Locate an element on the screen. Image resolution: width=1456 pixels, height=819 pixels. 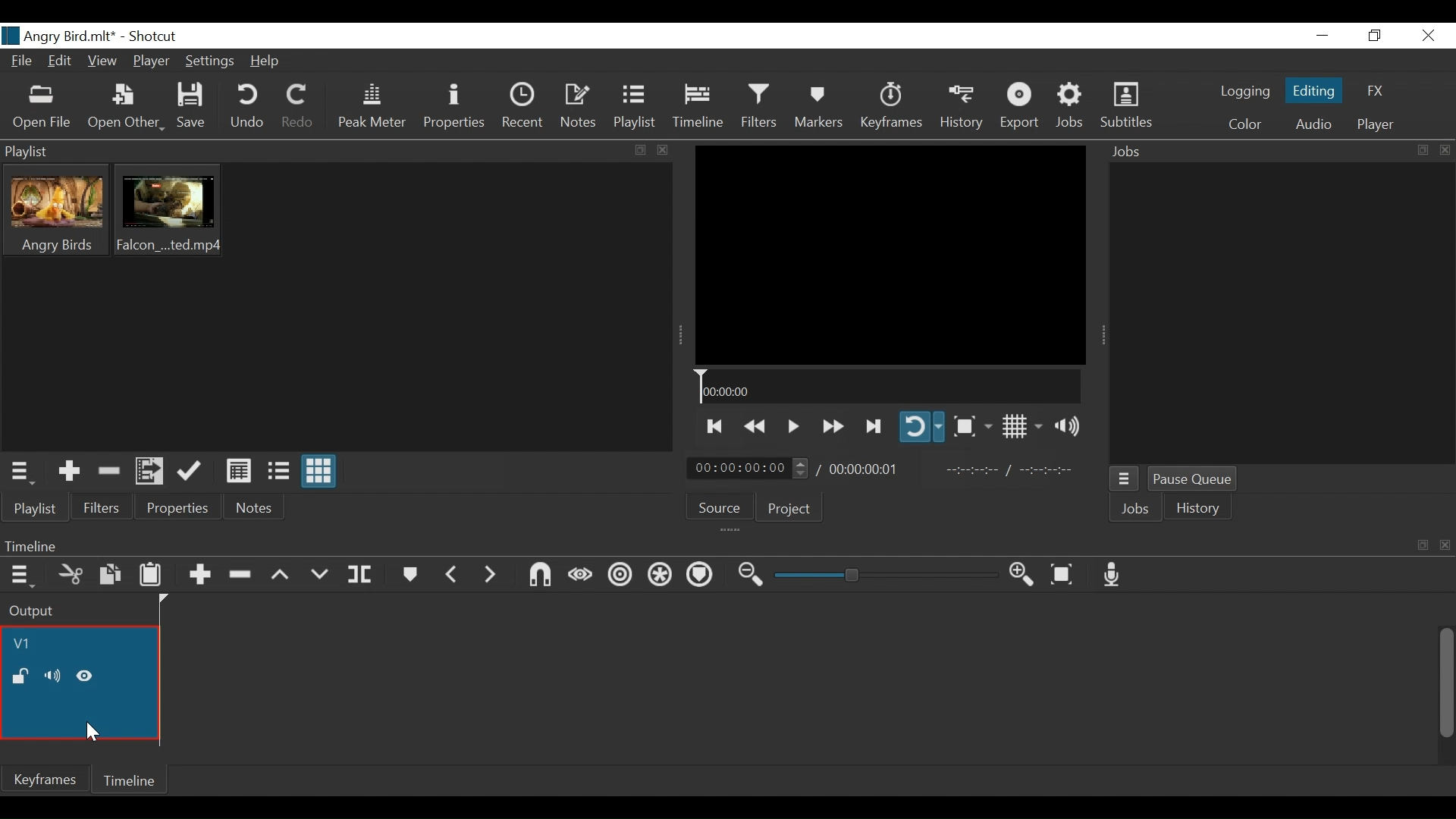
View as icons is located at coordinates (319, 472).